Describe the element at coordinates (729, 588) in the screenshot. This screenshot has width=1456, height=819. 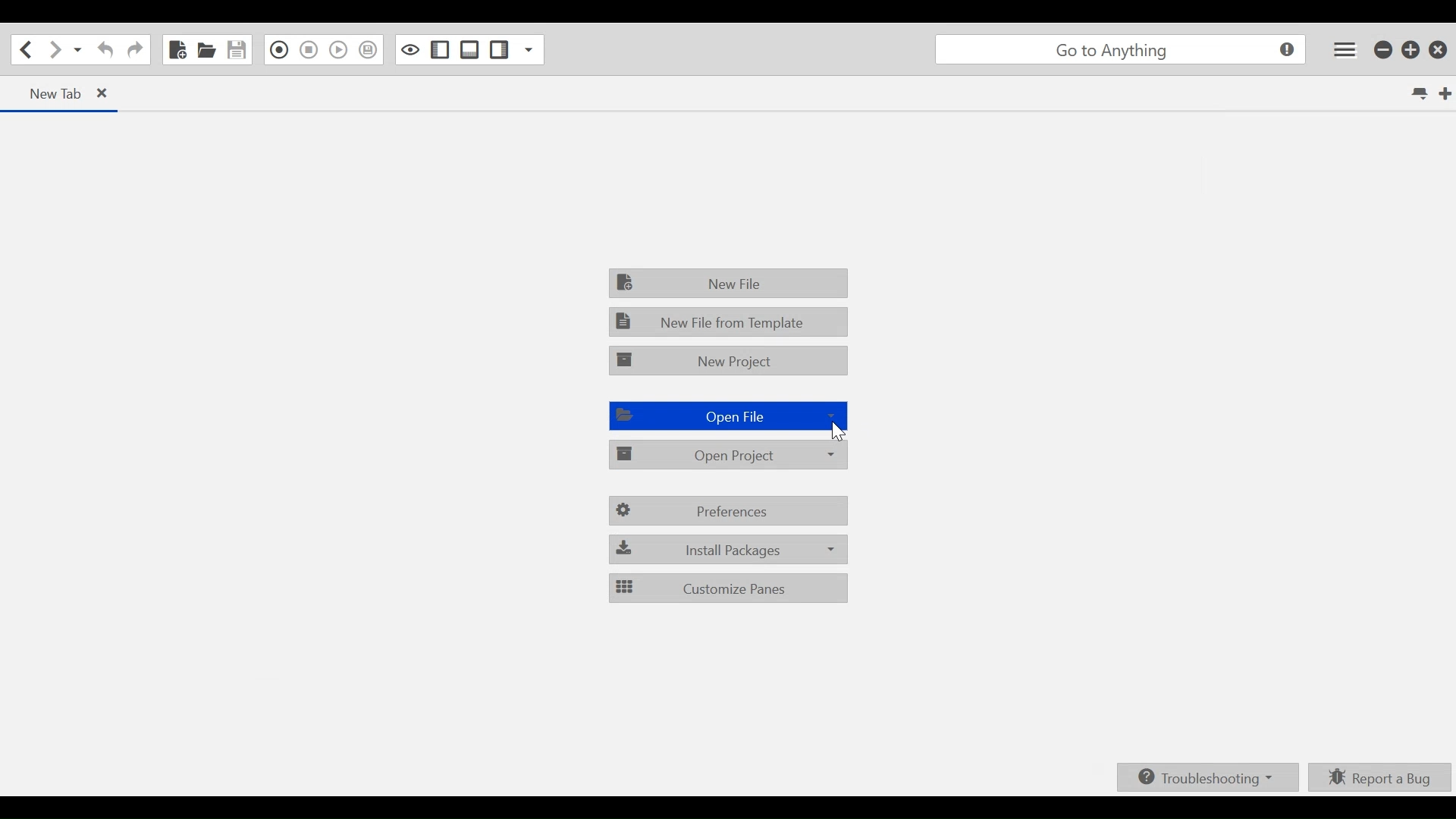
I see `Customize panes` at that location.